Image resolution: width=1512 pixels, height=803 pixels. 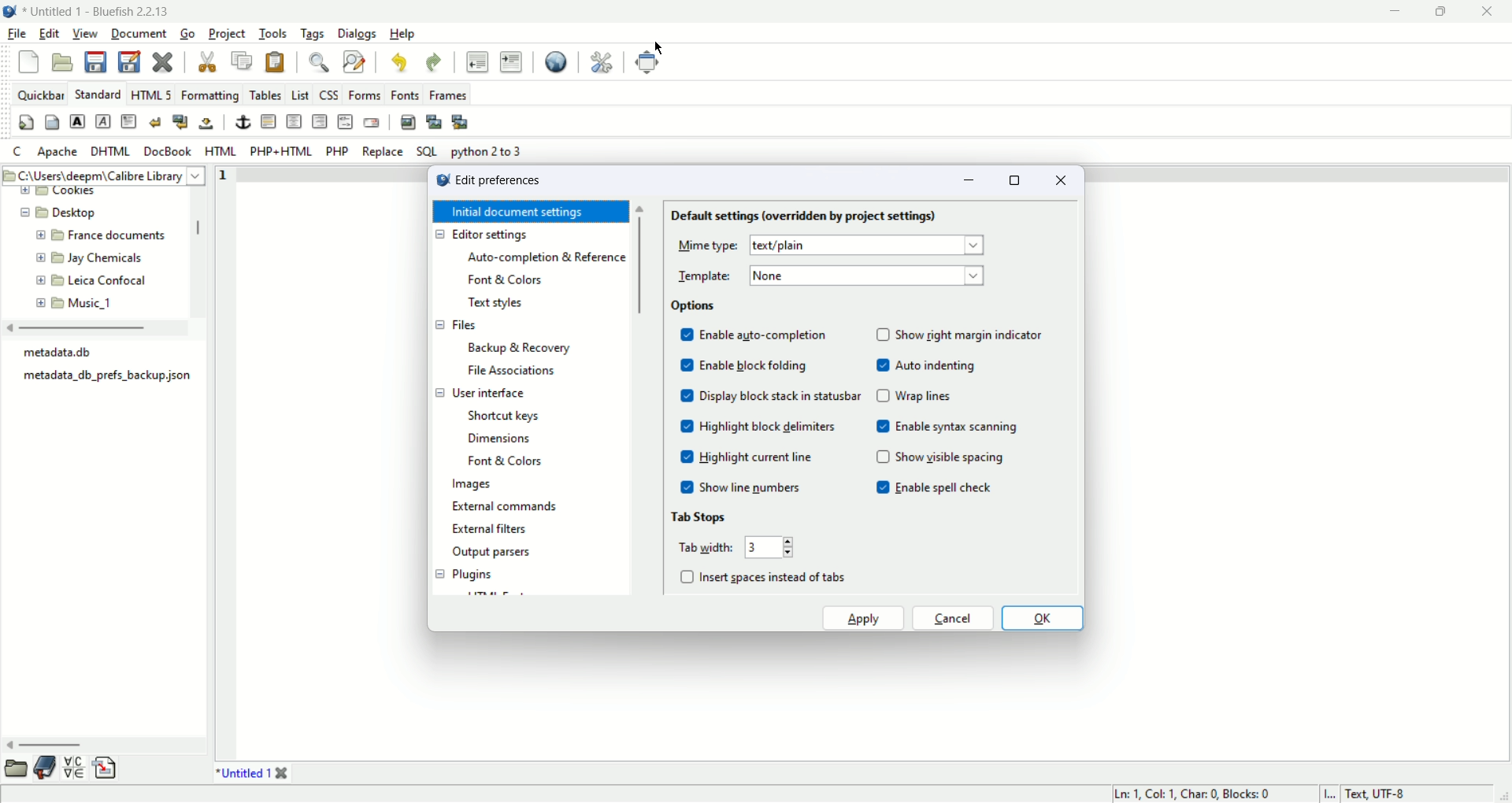 I want to click on Mime type, so click(x=708, y=246).